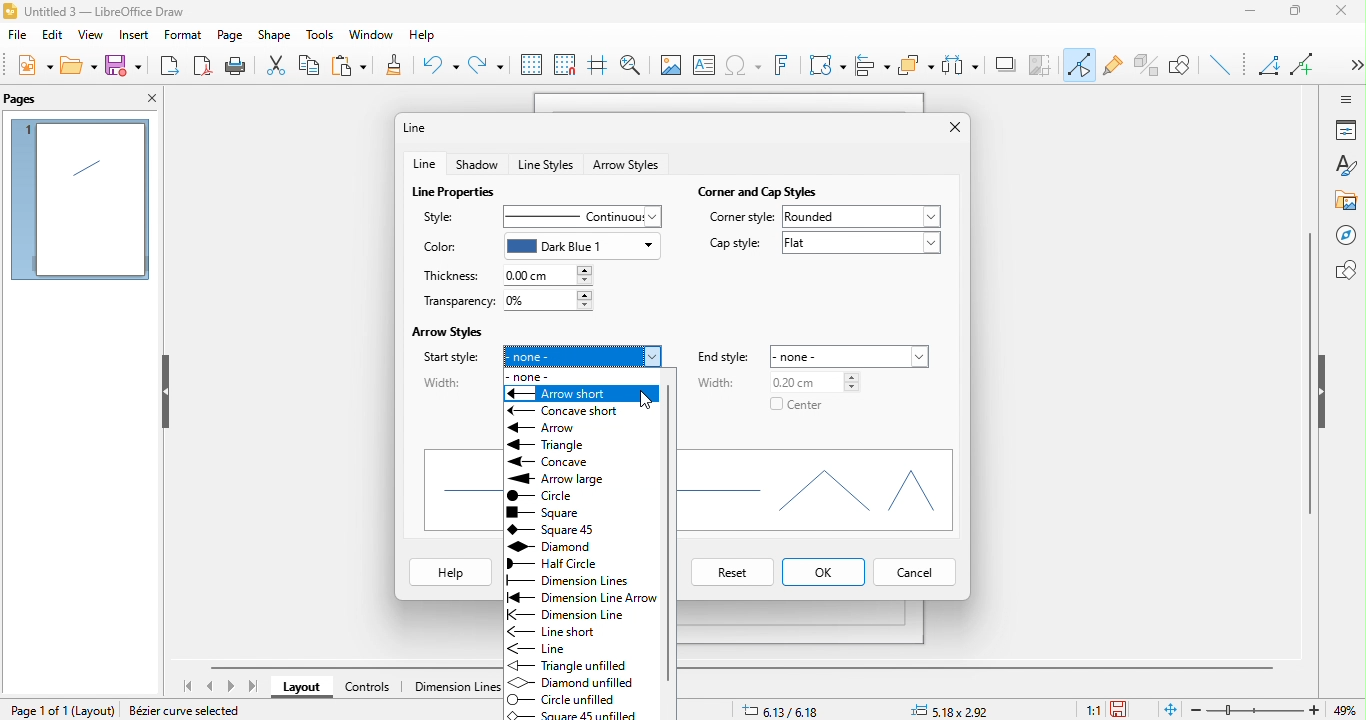  Describe the element at coordinates (630, 62) in the screenshot. I see `zoom and pan` at that location.